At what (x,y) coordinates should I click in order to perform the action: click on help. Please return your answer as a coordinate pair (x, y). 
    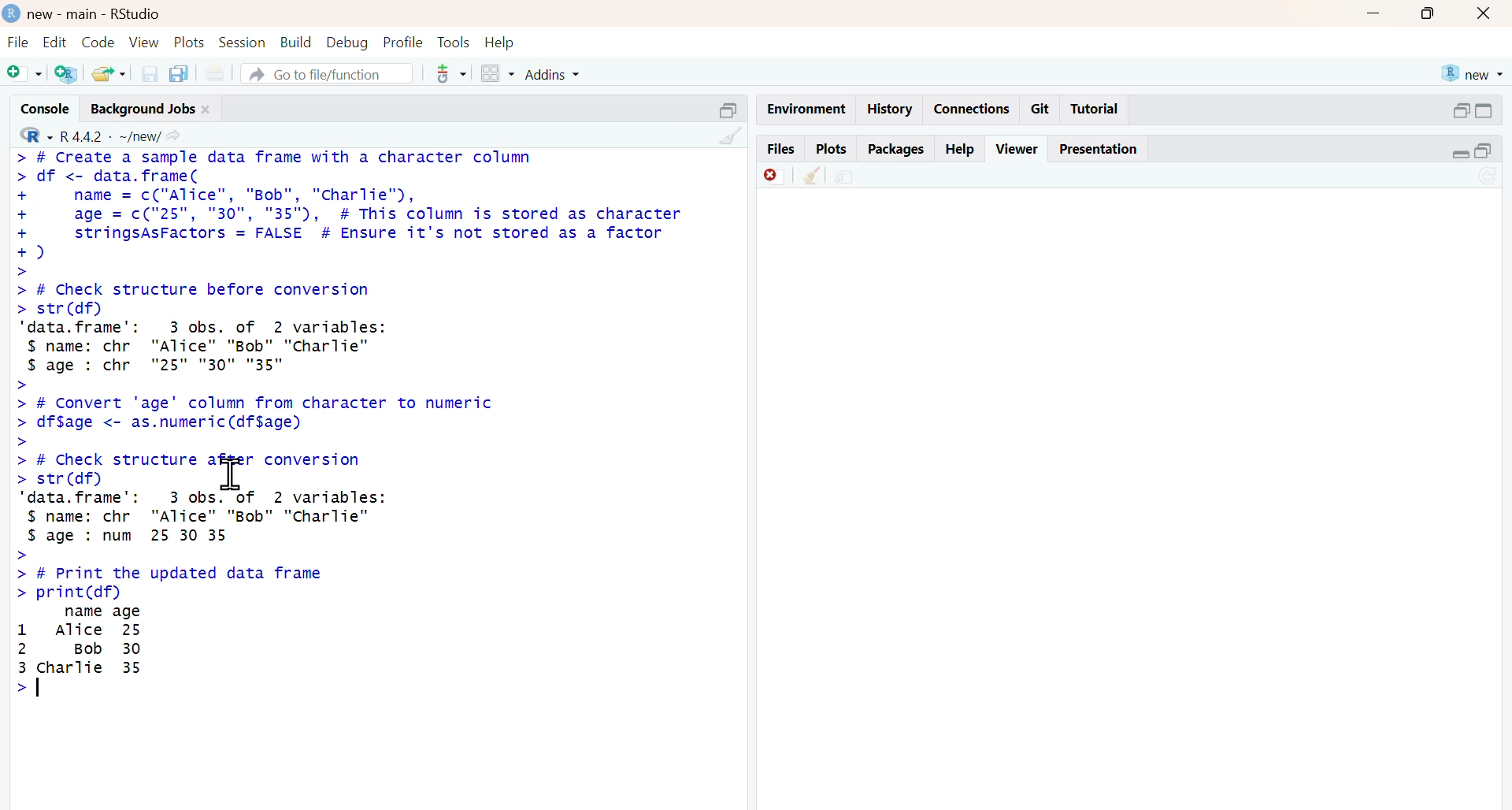
    Looking at the image, I should click on (500, 43).